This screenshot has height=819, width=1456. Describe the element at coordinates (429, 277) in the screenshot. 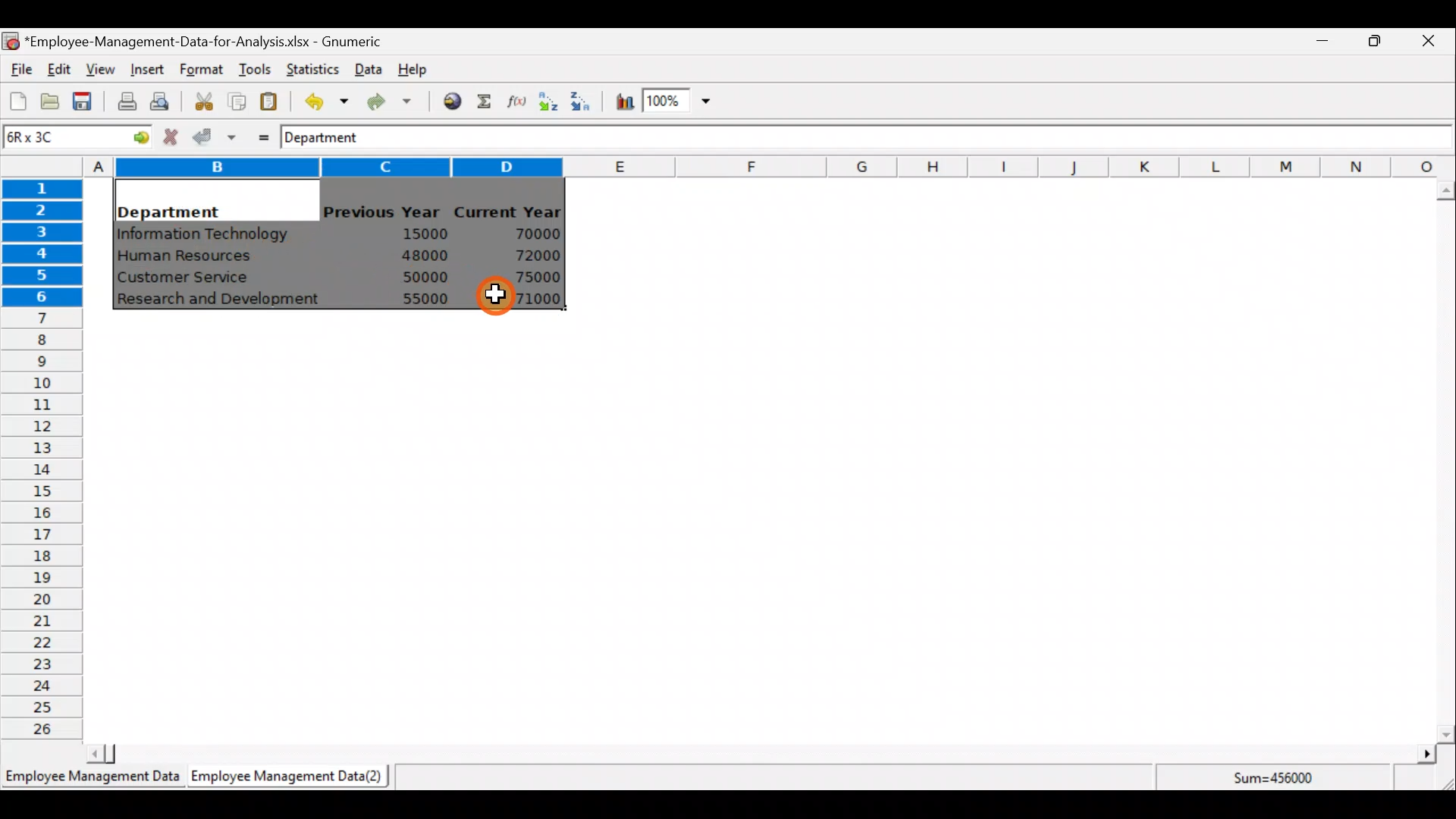

I see `50000` at that location.